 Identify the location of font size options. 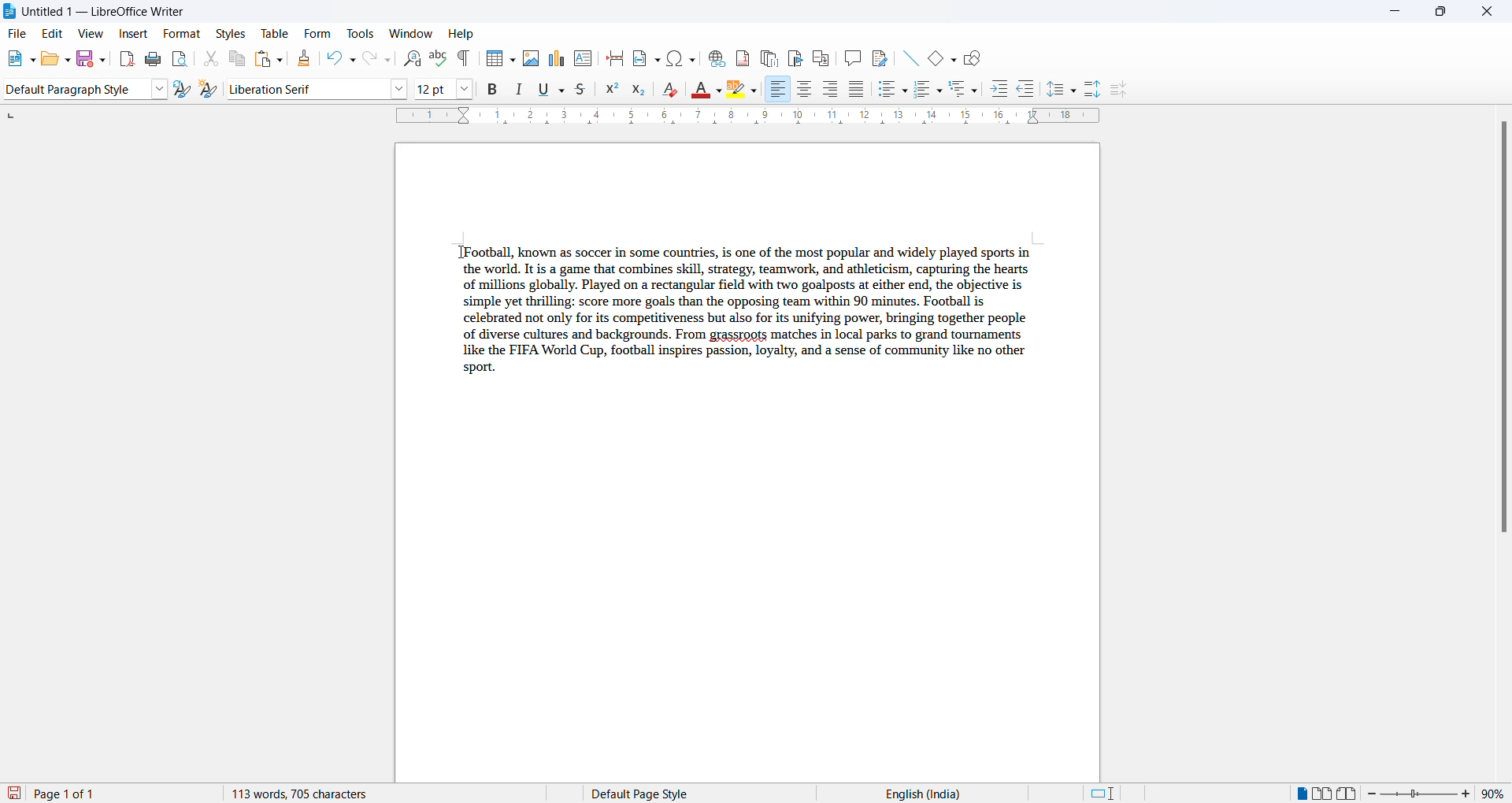
(465, 88).